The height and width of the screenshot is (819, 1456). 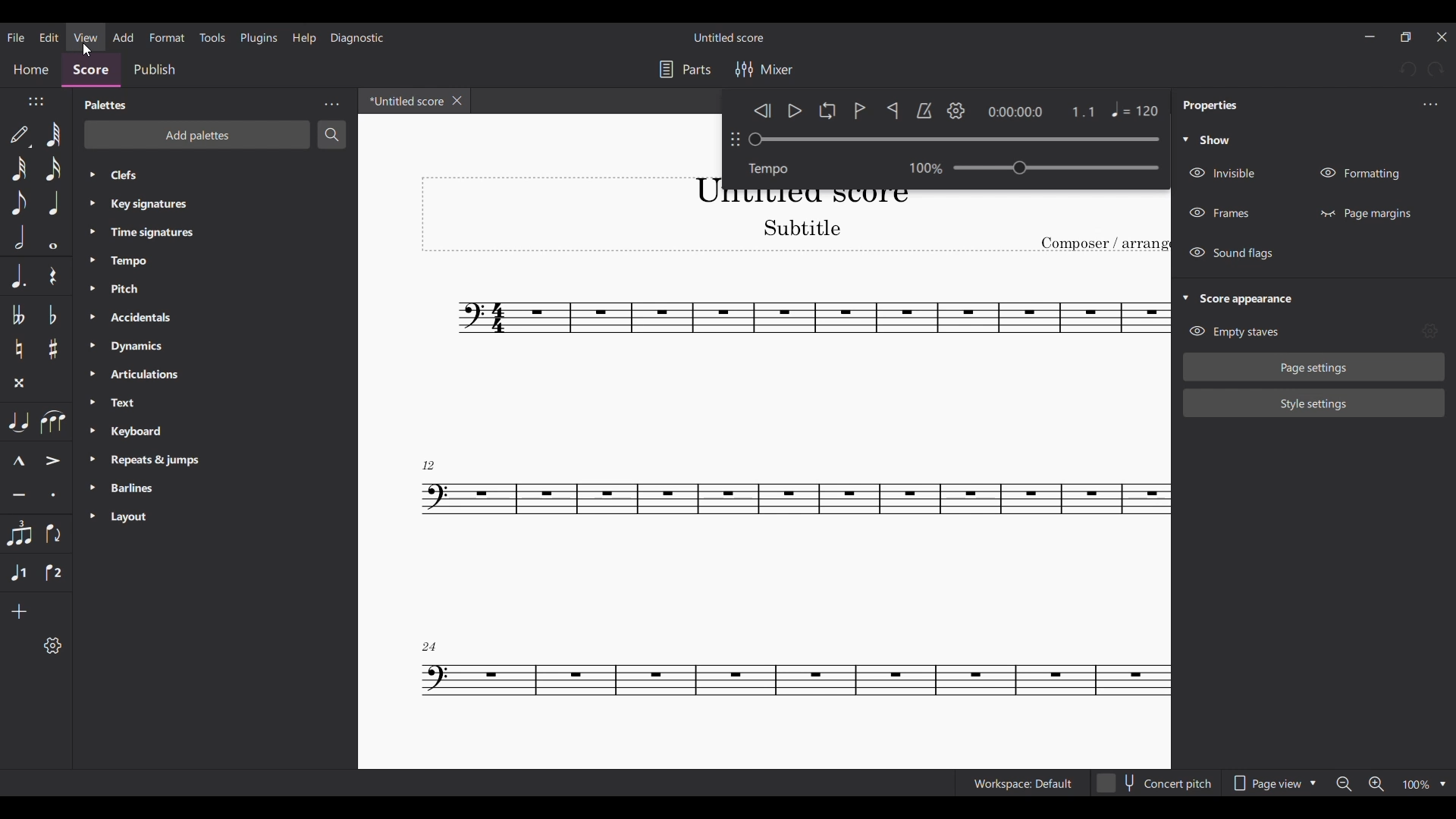 What do you see at coordinates (686, 70) in the screenshot?
I see `Parts` at bounding box center [686, 70].